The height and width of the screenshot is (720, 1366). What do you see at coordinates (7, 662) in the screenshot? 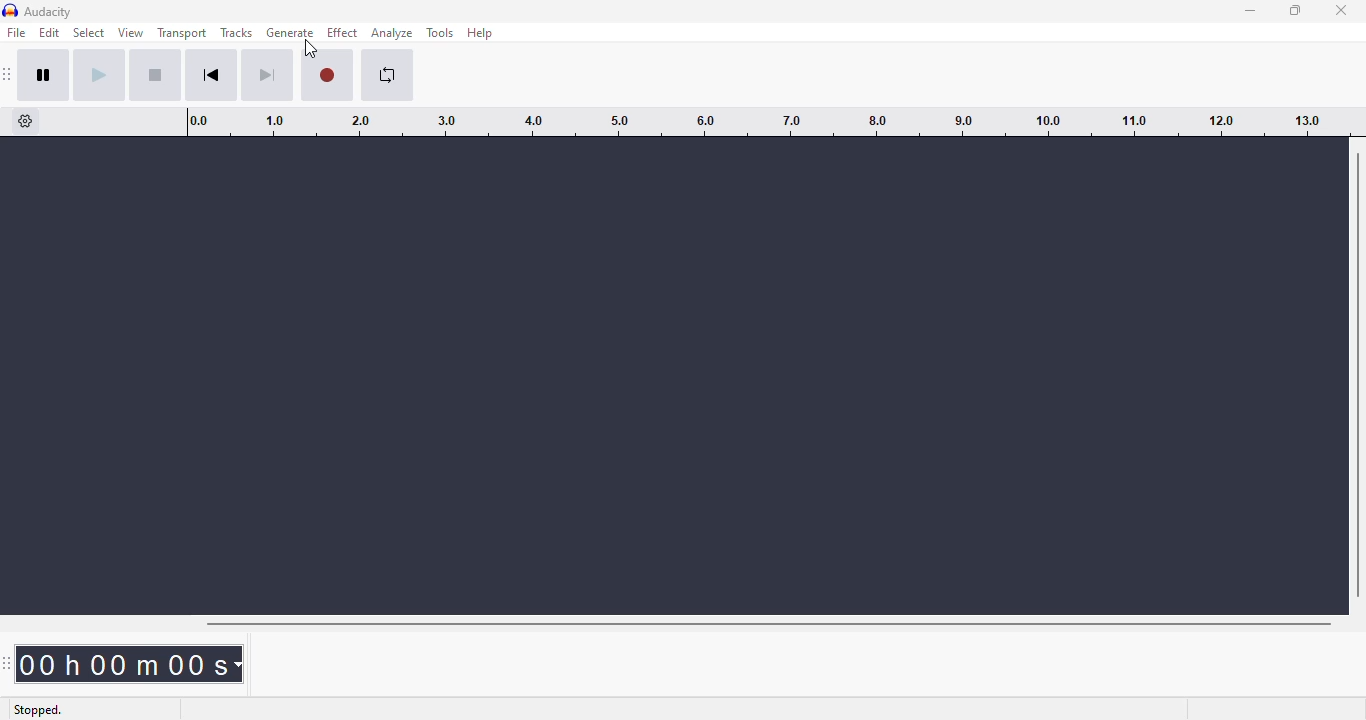
I see `audacity time toolbar` at bounding box center [7, 662].